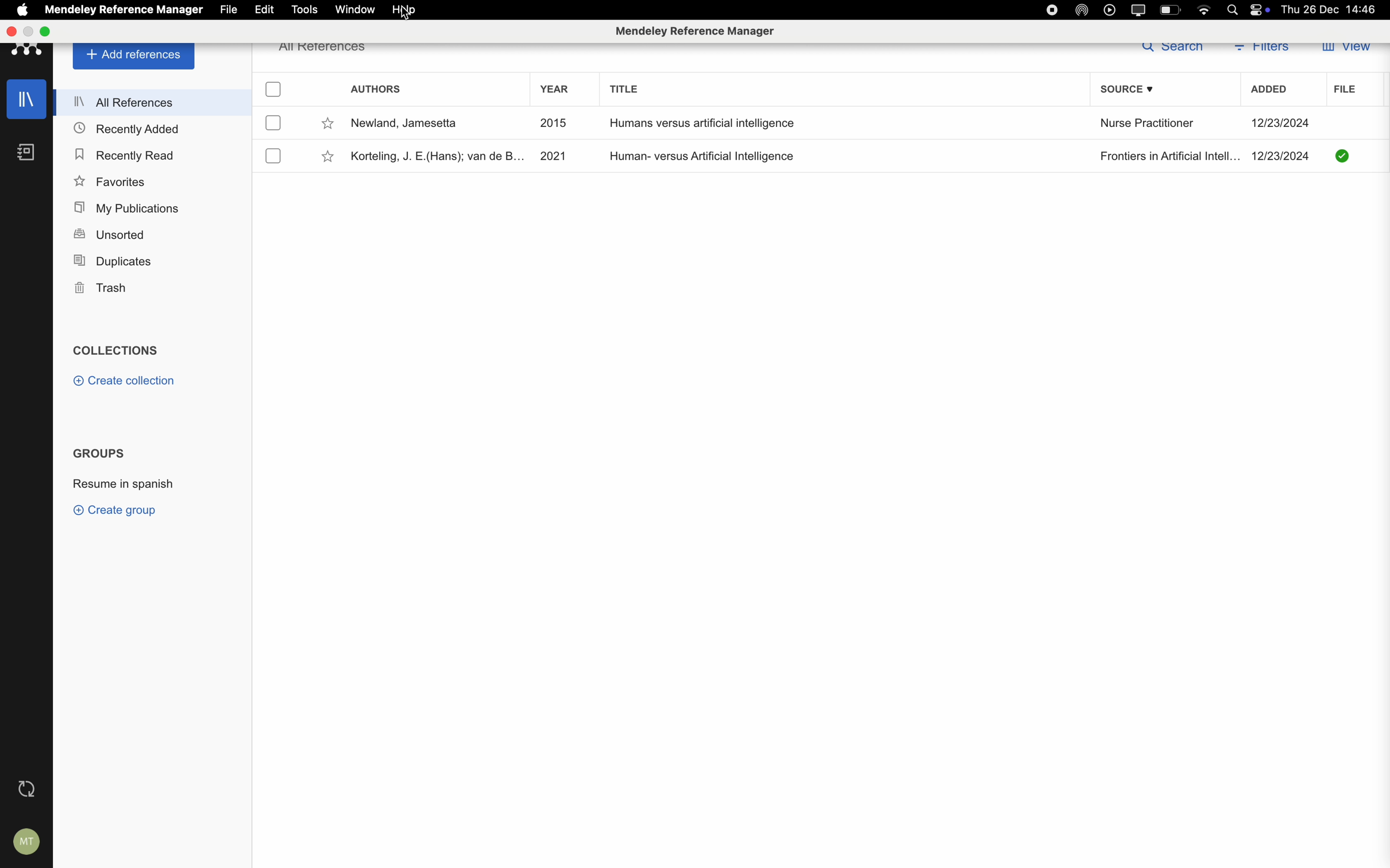  I want to click on create group, so click(115, 512).